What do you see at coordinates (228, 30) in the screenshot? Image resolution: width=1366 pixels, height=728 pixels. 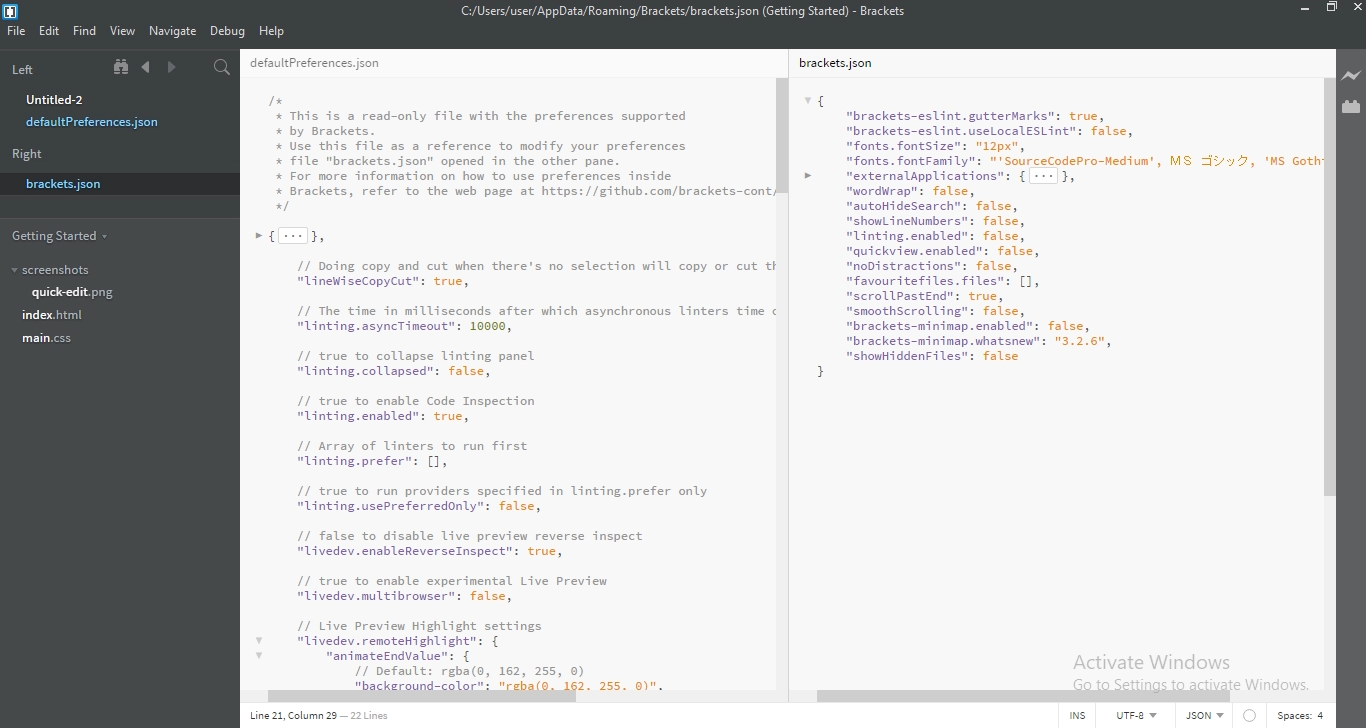 I see `debug` at bounding box center [228, 30].